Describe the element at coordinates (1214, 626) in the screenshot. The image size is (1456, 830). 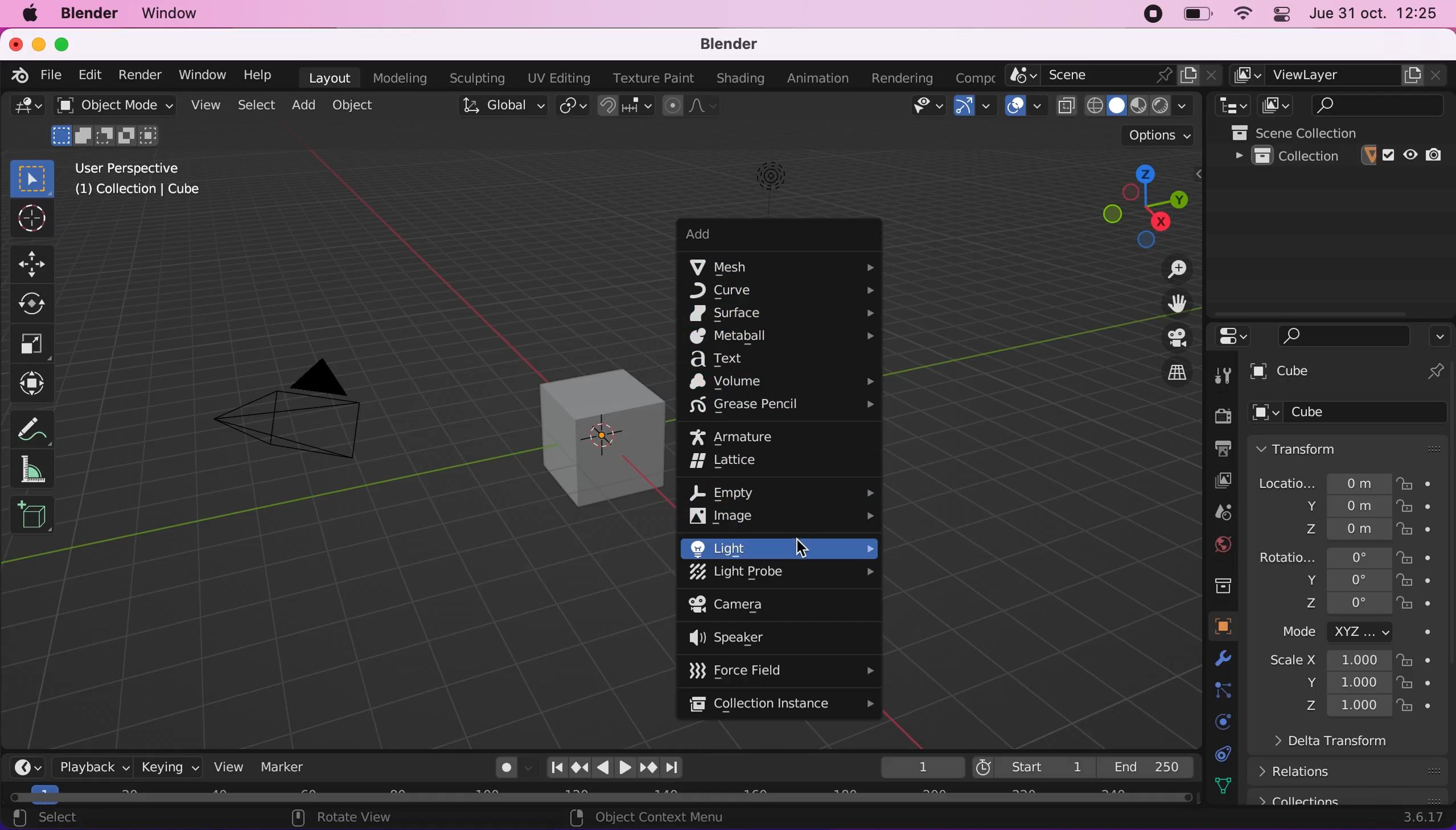
I see `object` at that location.